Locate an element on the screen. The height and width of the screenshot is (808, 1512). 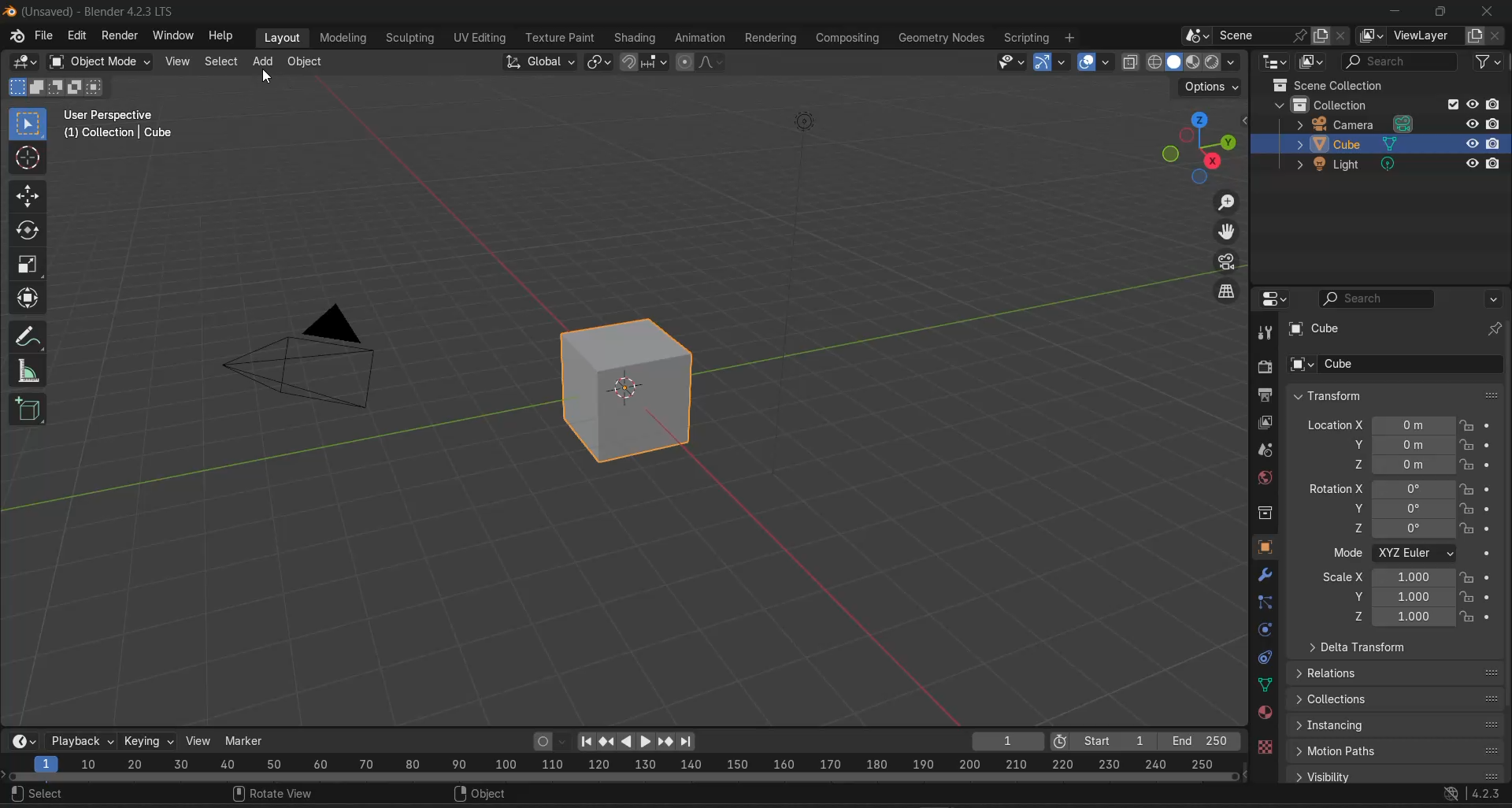
options is located at coordinates (1496, 298).